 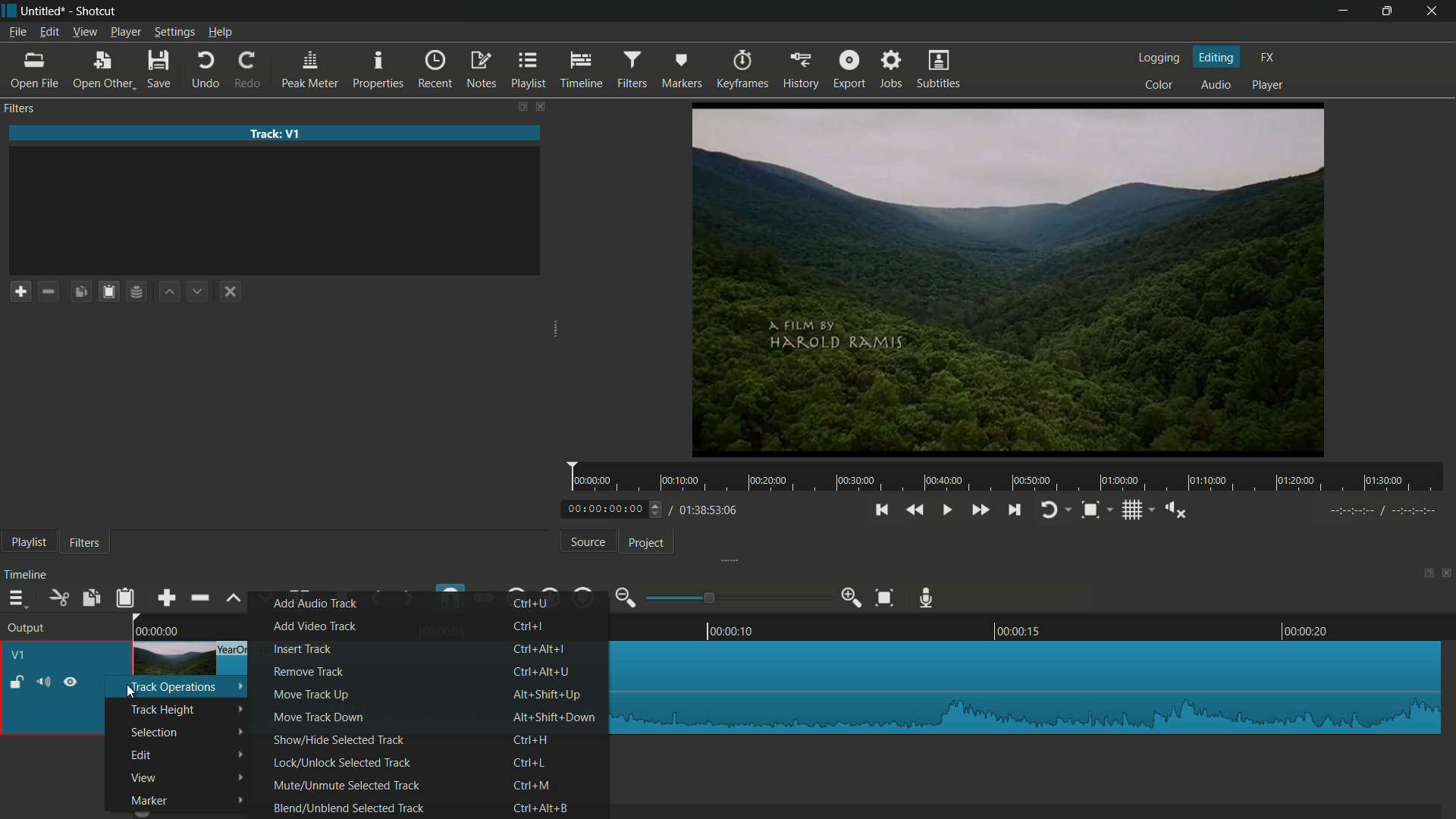 What do you see at coordinates (310, 71) in the screenshot?
I see `peak meter` at bounding box center [310, 71].